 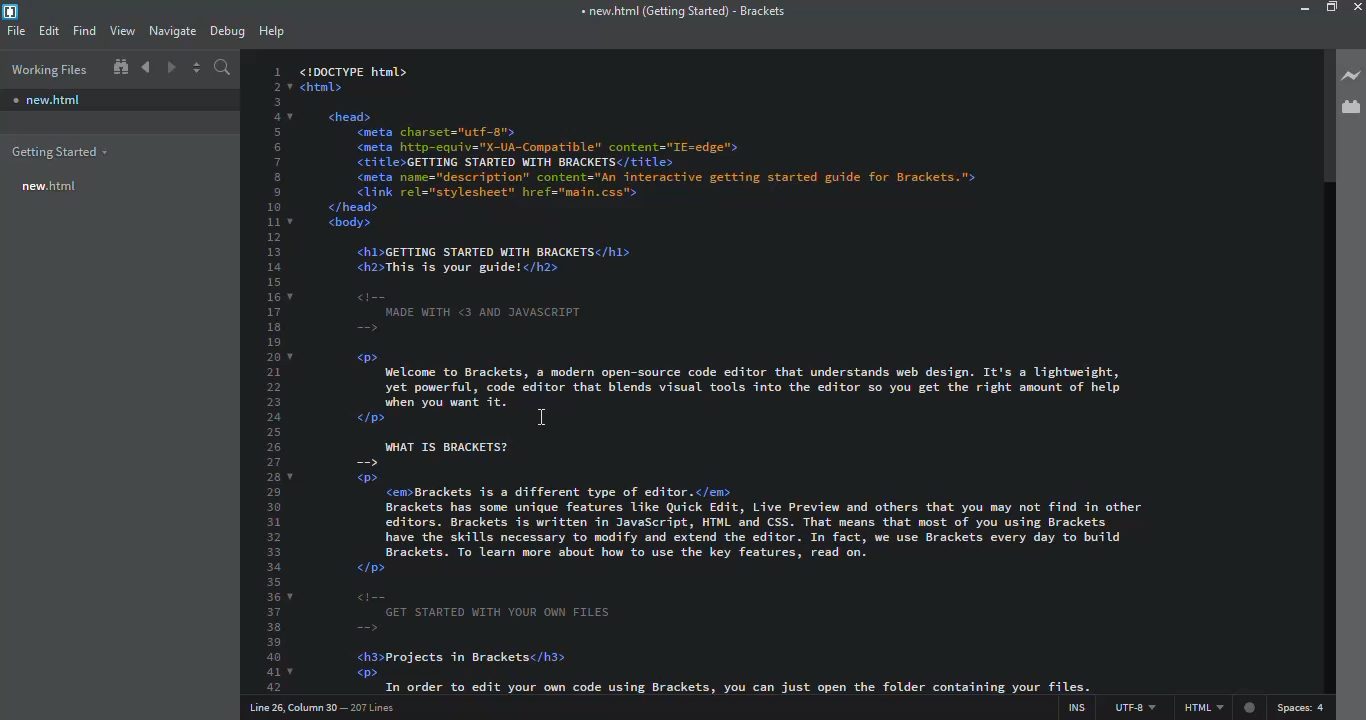 I want to click on live preview, so click(x=1349, y=76).